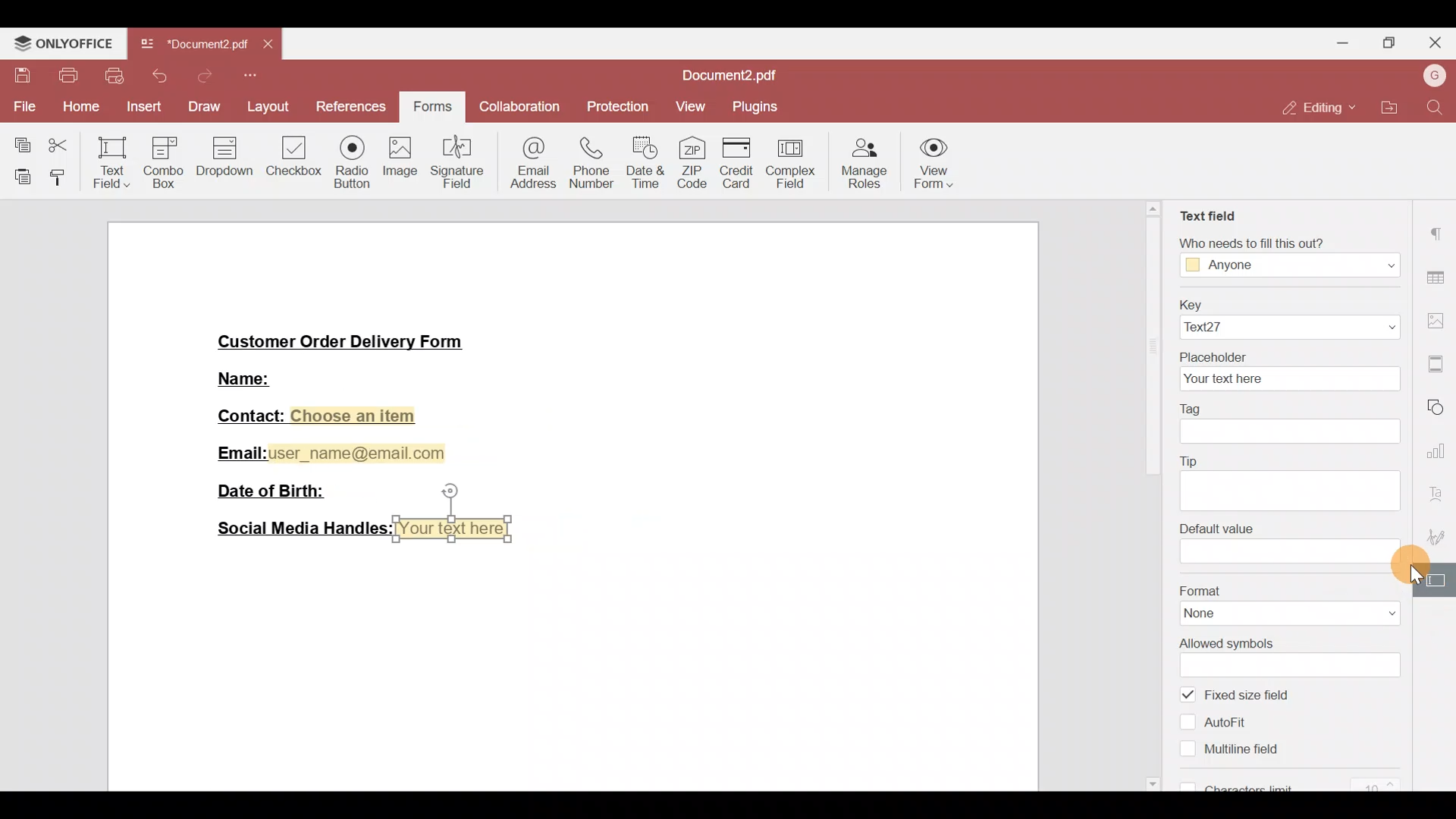  Describe the element at coordinates (1441, 536) in the screenshot. I see `Signature settings` at that location.